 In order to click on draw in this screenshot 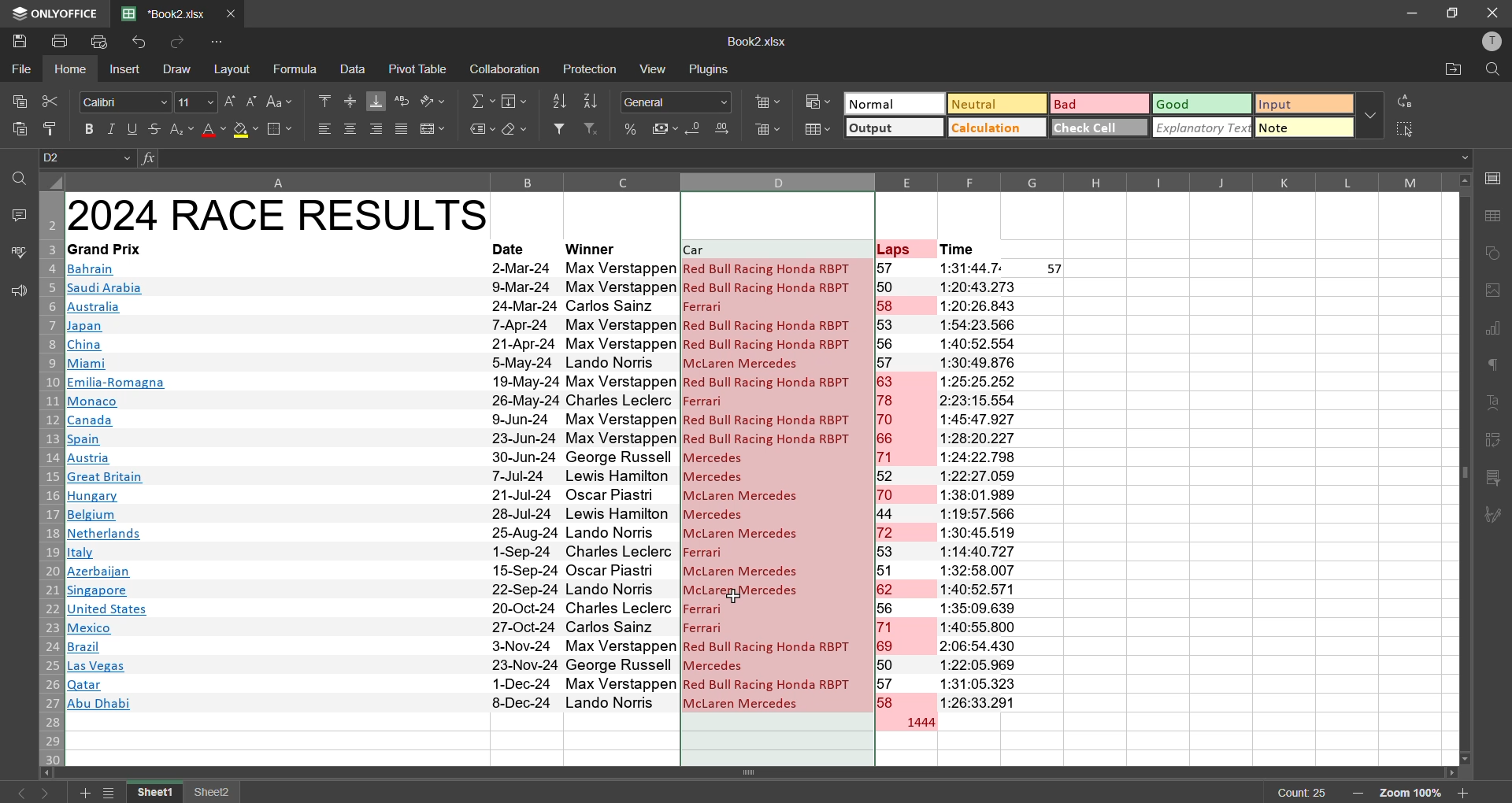, I will do `click(175, 68)`.